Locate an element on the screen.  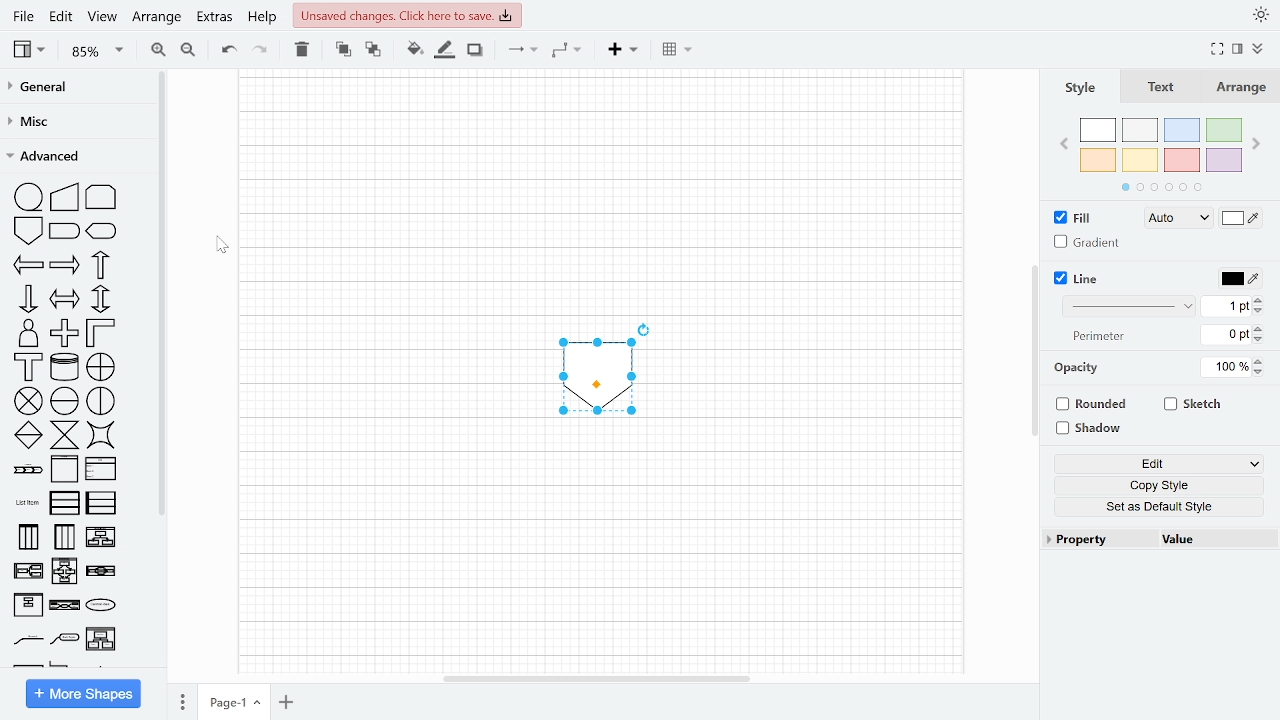
yellow is located at coordinates (1141, 159).